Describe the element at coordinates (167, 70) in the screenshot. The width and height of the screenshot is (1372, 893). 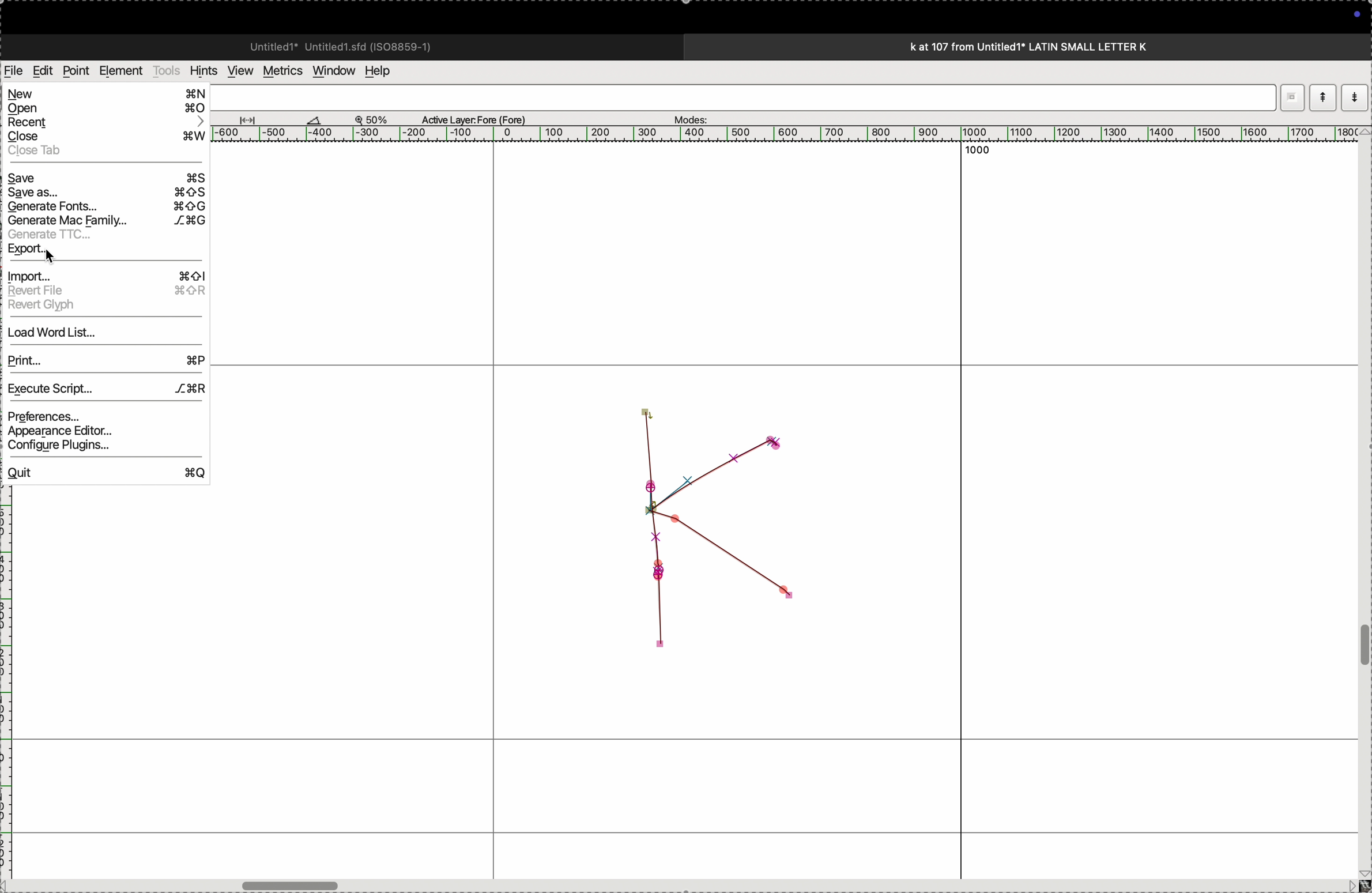
I see `tools` at that location.